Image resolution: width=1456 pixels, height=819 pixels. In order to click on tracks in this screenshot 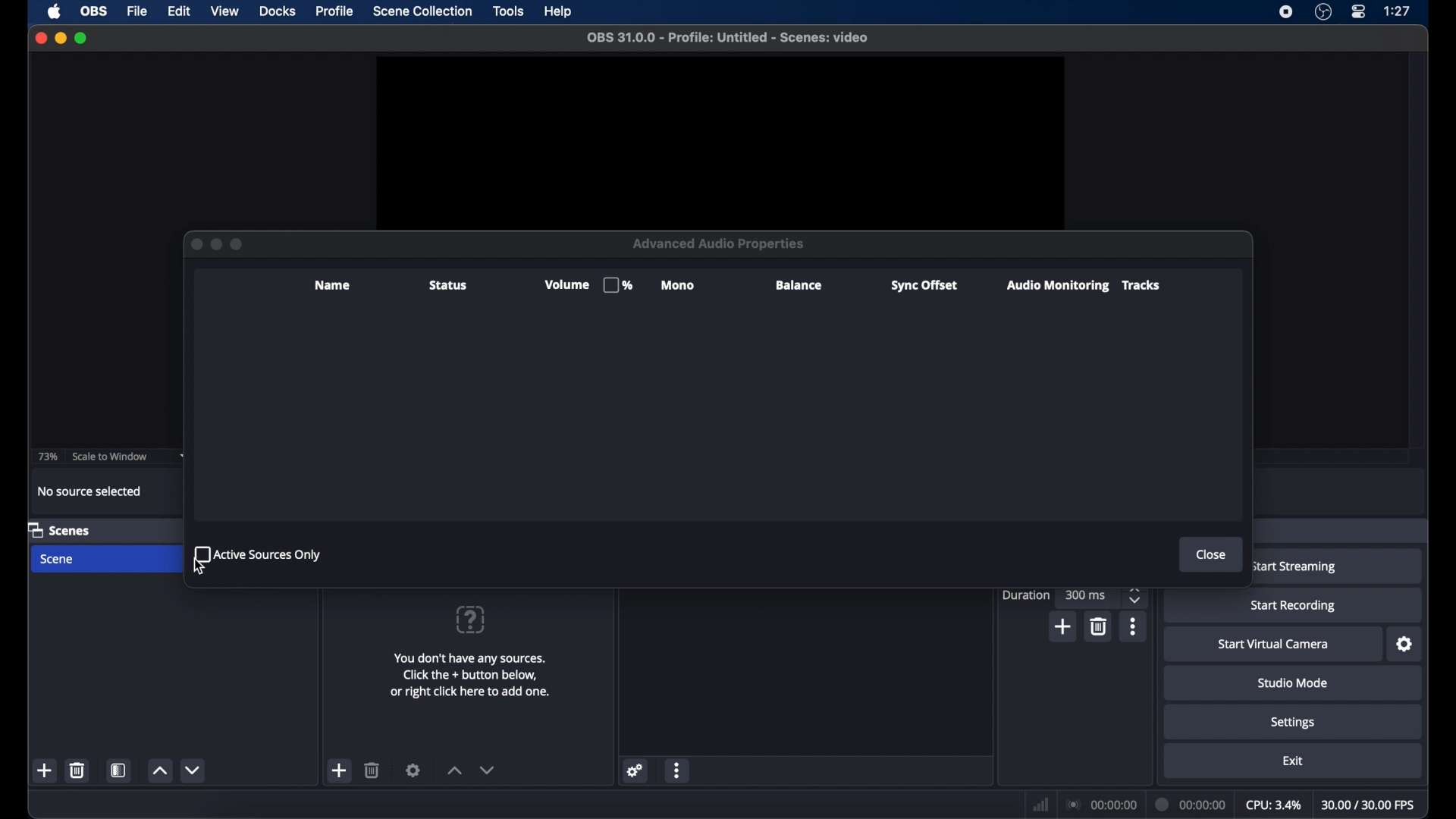, I will do `click(1141, 285)`.